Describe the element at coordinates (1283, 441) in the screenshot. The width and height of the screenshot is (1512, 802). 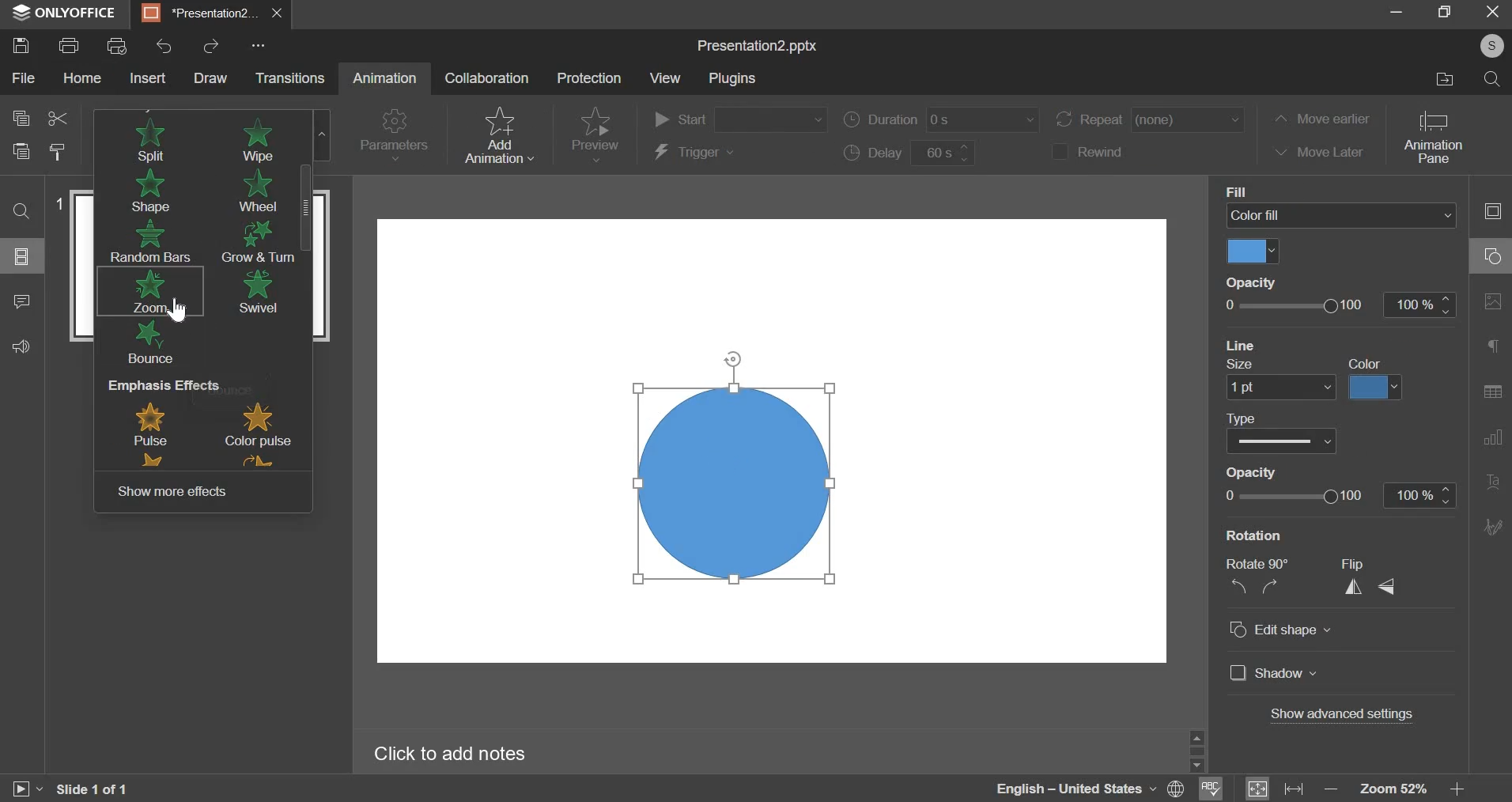
I see `line type` at that location.